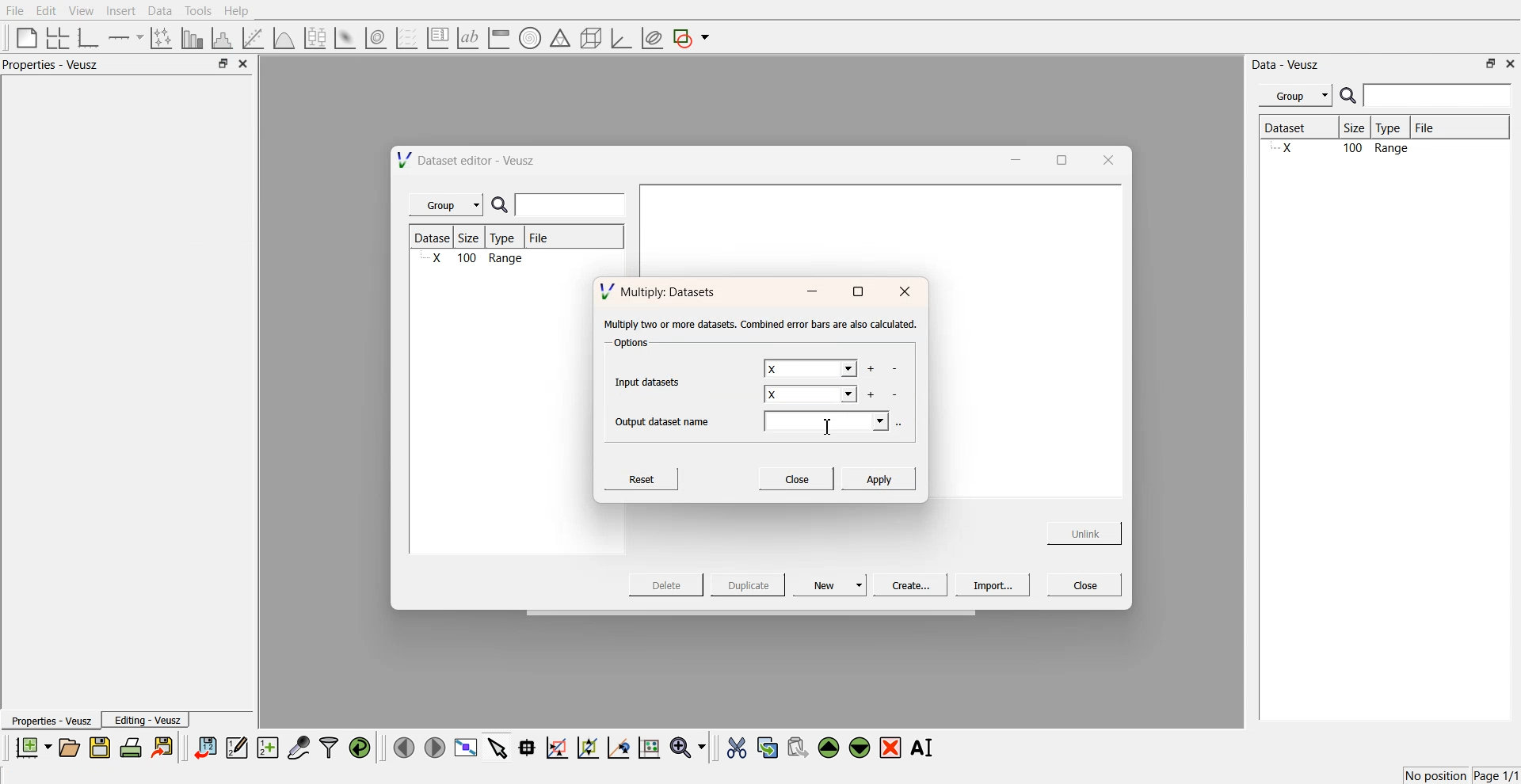  Describe the element at coordinates (55, 37) in the screenshot. I see `arrange graphs` at that location.